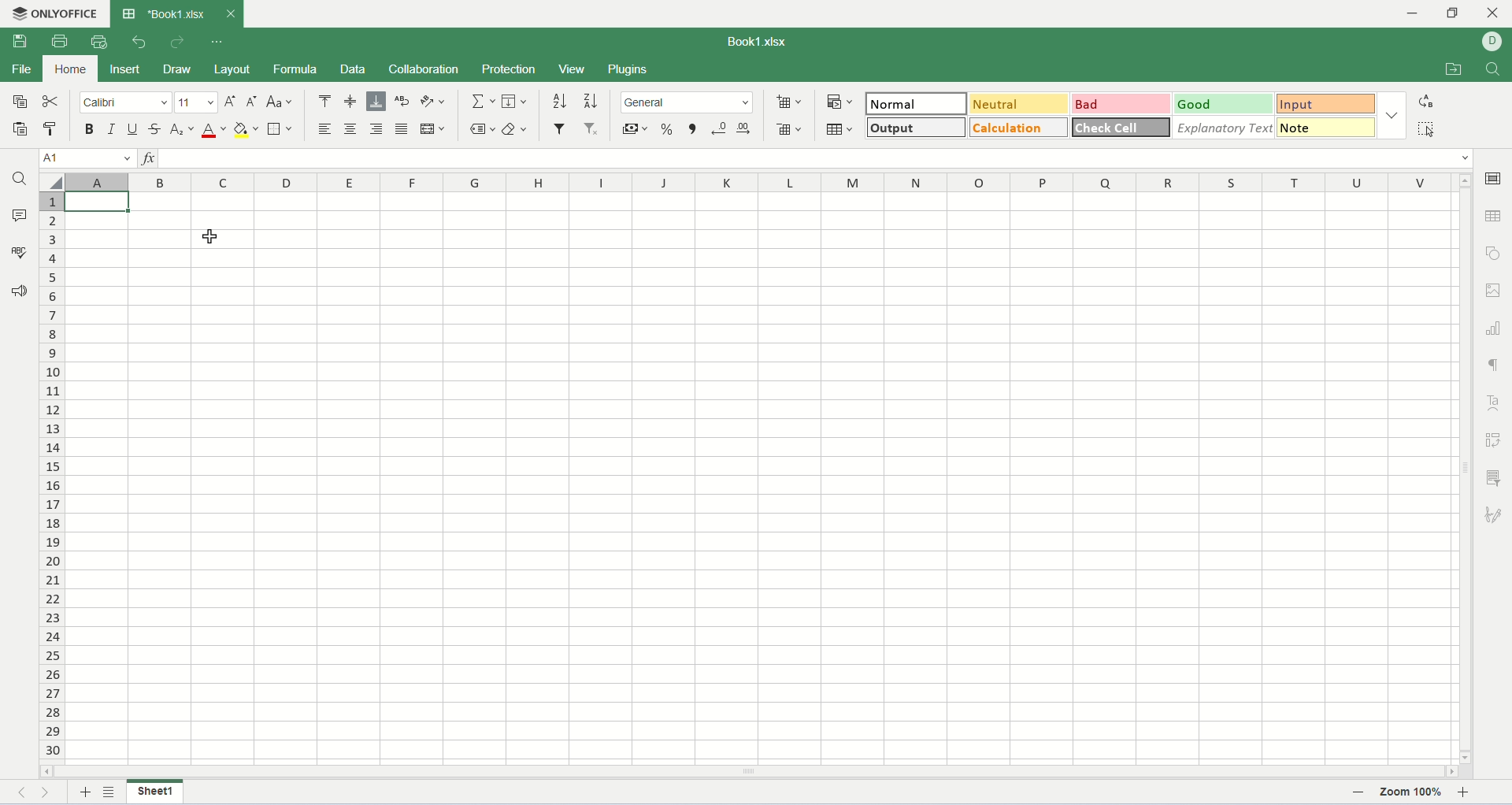 Image resolution: width=1512 pixels, height=805 pixels. What do you see at coordinates (590, 129) in the screenshot?
I see `remove filter` at bounding box center [590, 129].